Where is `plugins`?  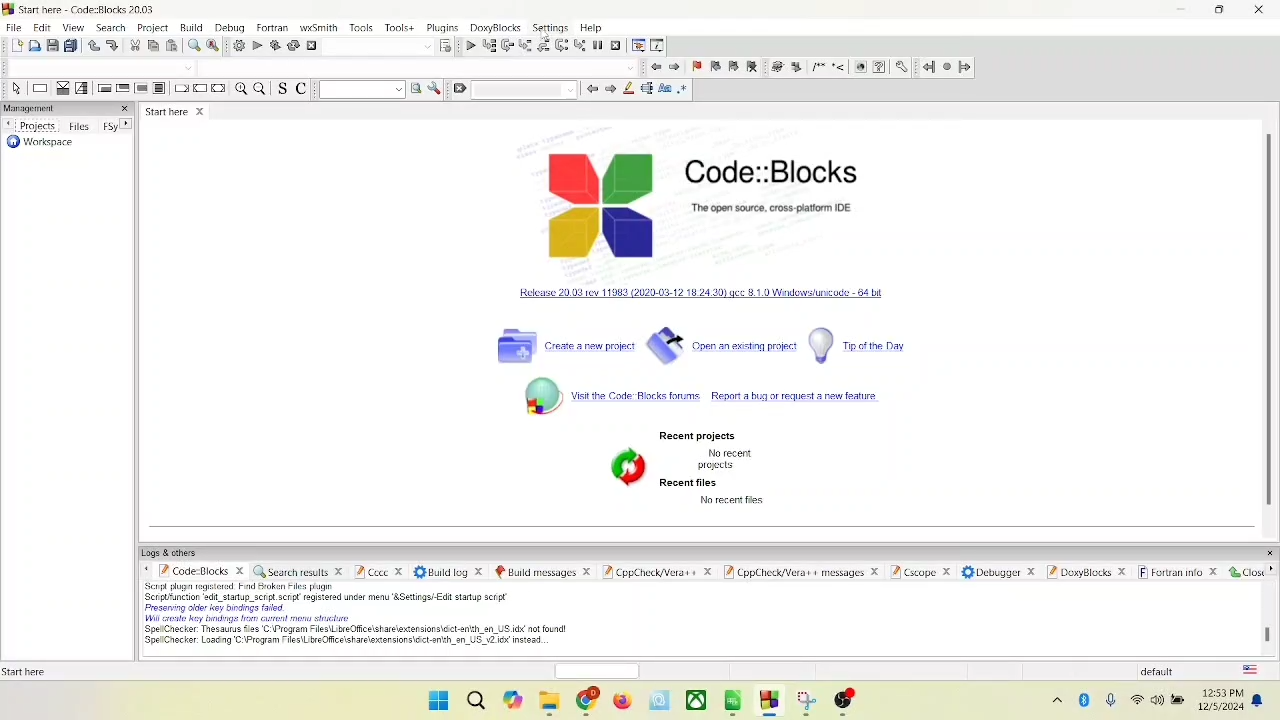
plugins is located at coordinates (442, 28).